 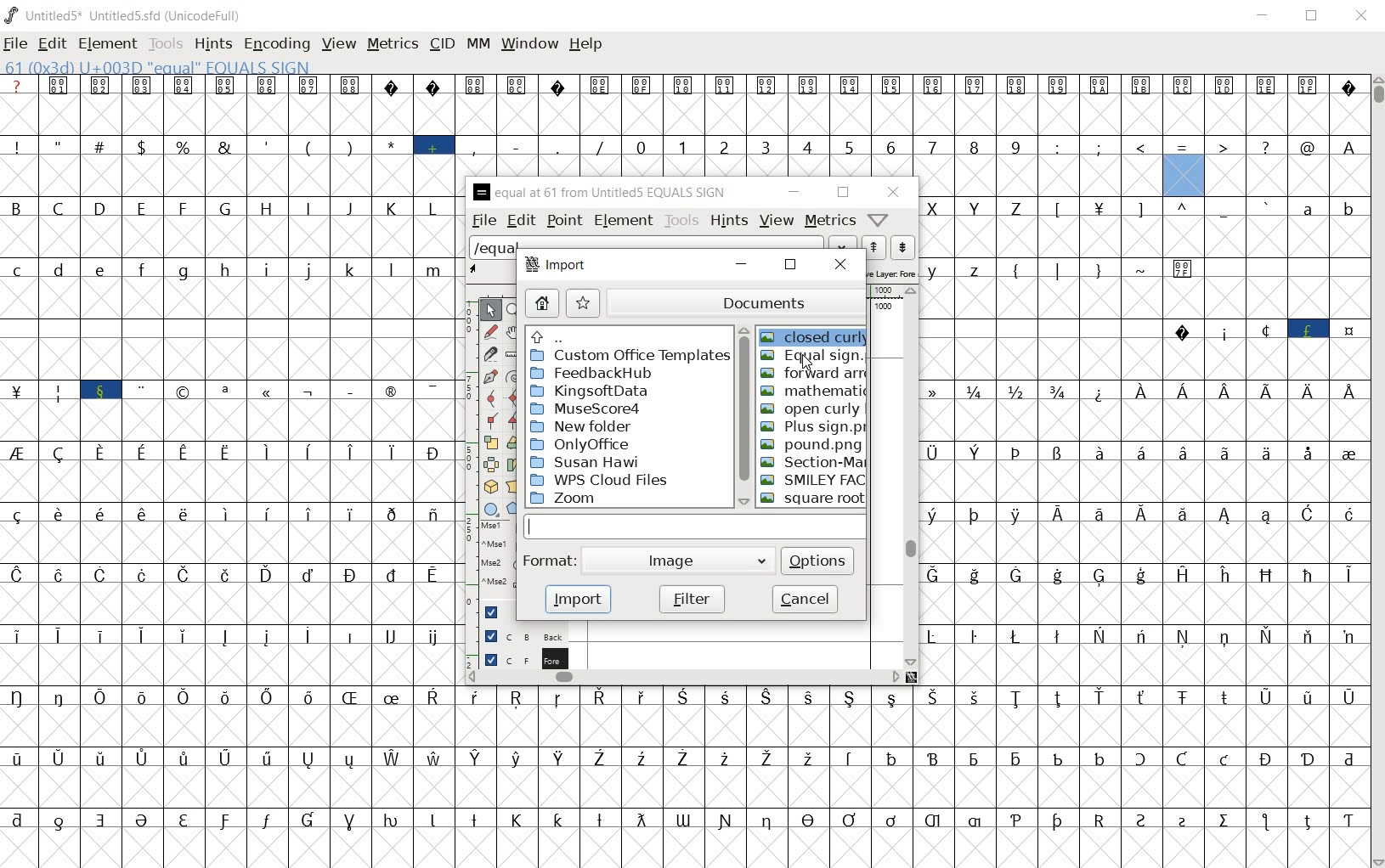 What do you see at coordinates (585, 48) in the screenshot?
I see `help` at bounding box center [585, 48].